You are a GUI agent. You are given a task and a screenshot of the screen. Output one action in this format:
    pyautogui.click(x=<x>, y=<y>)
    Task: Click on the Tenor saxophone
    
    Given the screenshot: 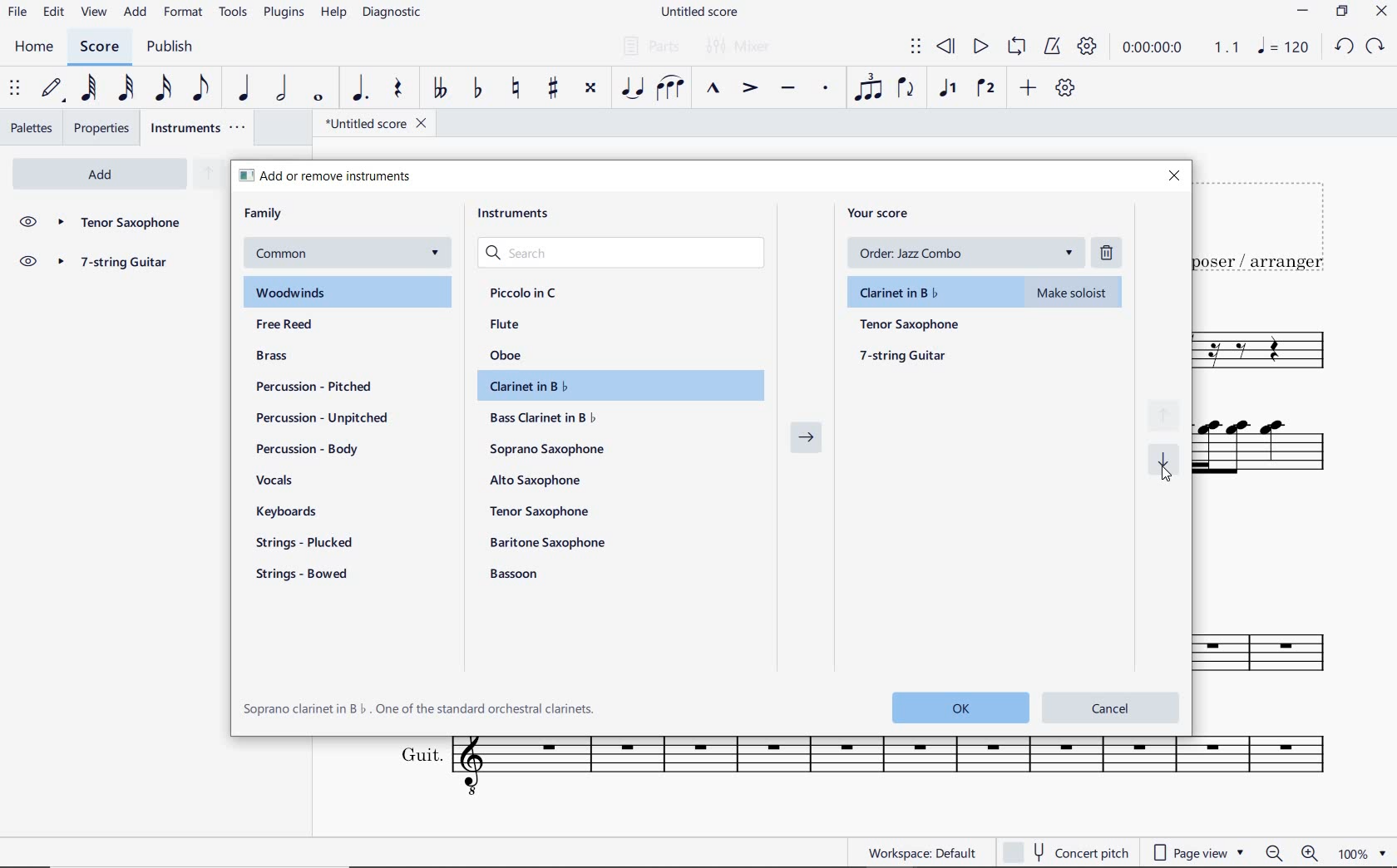 What is the action you would take?
    pyautogui.click(x=119, y=224)
    